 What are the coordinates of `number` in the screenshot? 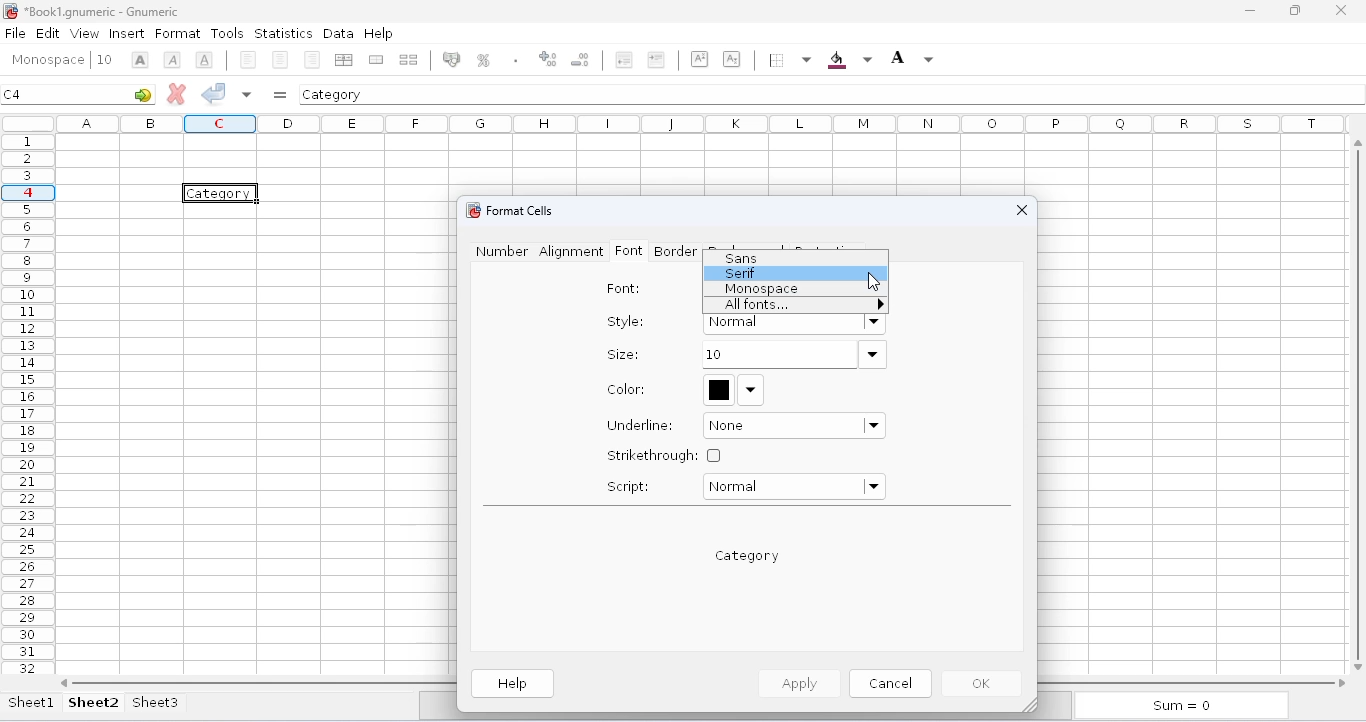 It's located at (502, 251).